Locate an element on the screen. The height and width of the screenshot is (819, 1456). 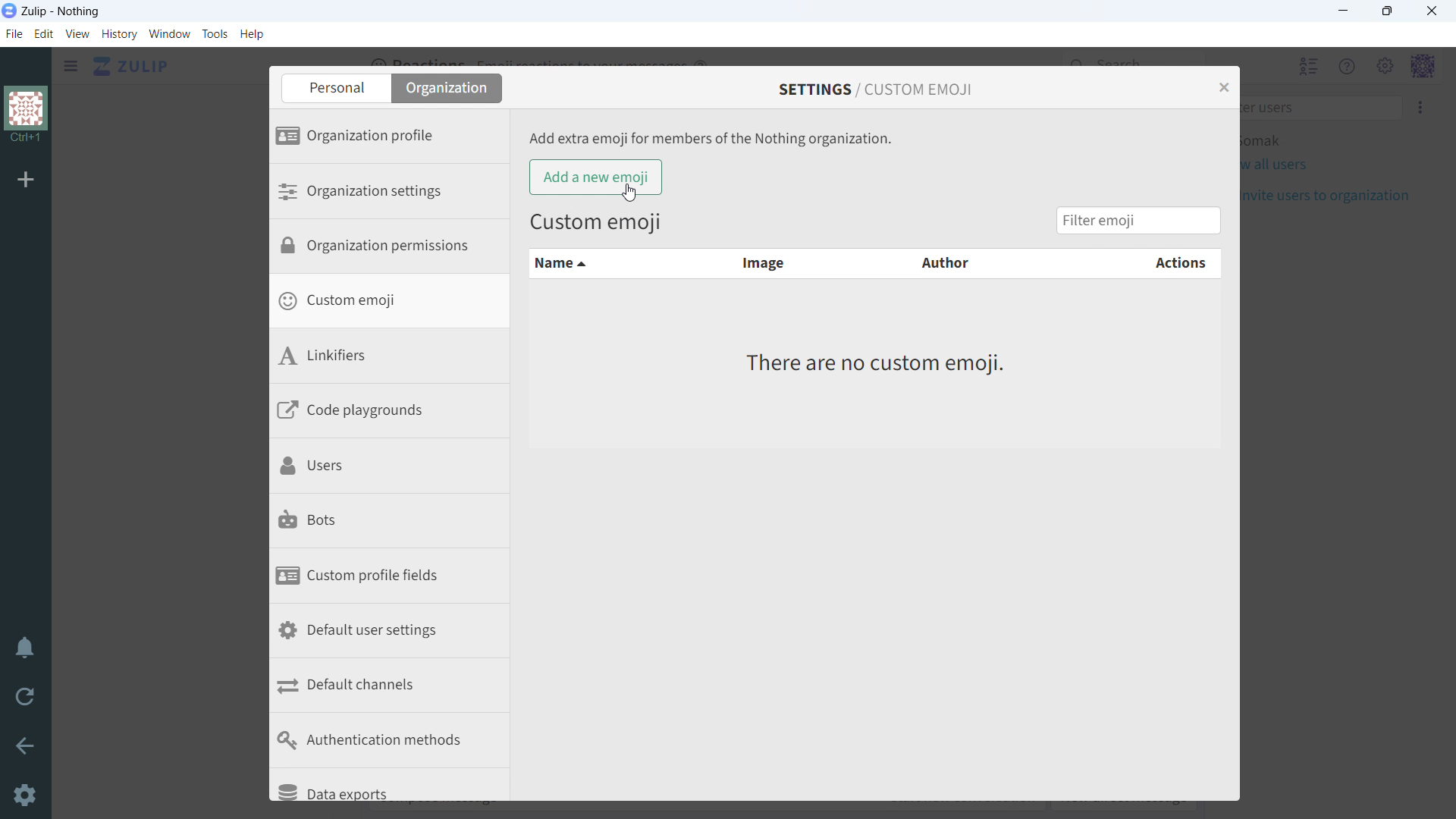
add a new emoji is located at coordinates (595, 177).